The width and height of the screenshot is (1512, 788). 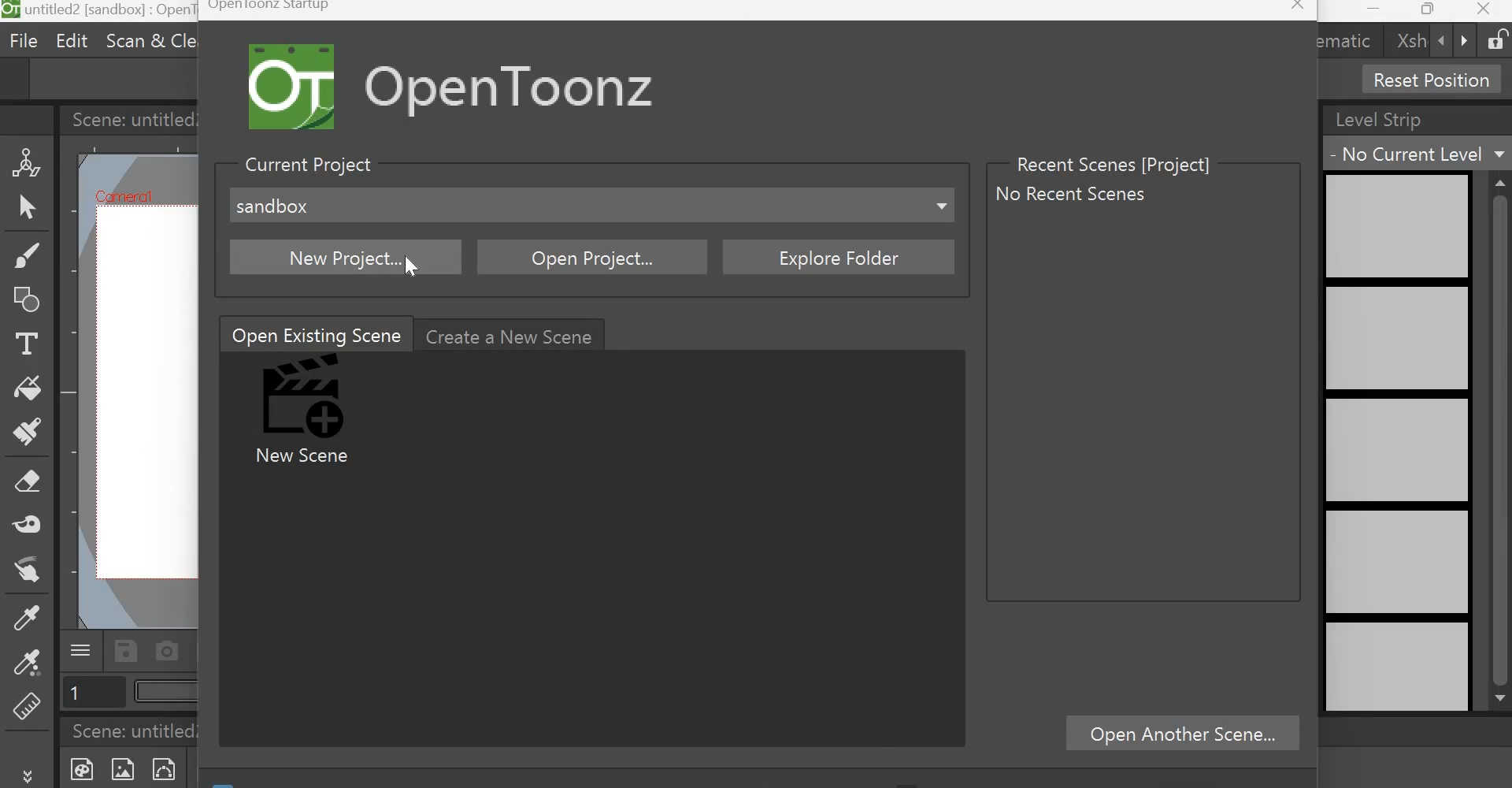 I want to click on Open Existing Scene, so click(x=315, y=333).